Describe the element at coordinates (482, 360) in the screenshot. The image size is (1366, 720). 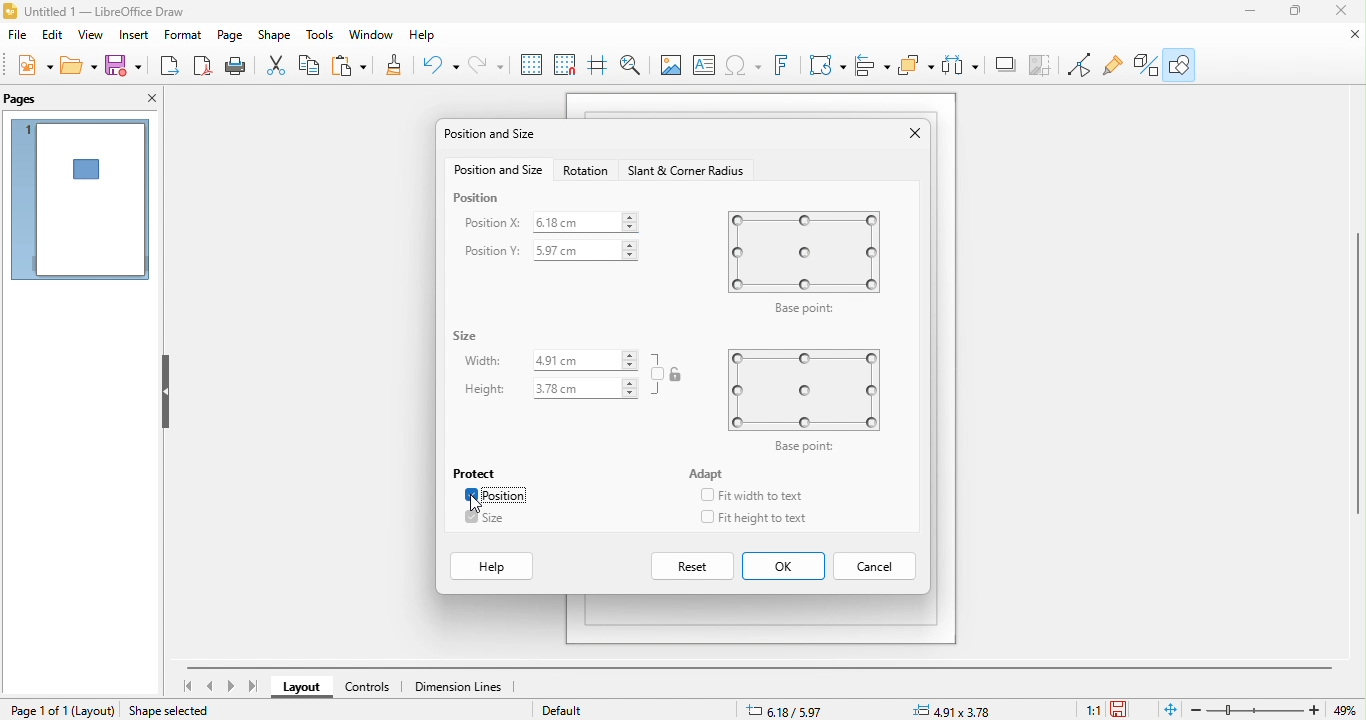
I see `width` at that location.